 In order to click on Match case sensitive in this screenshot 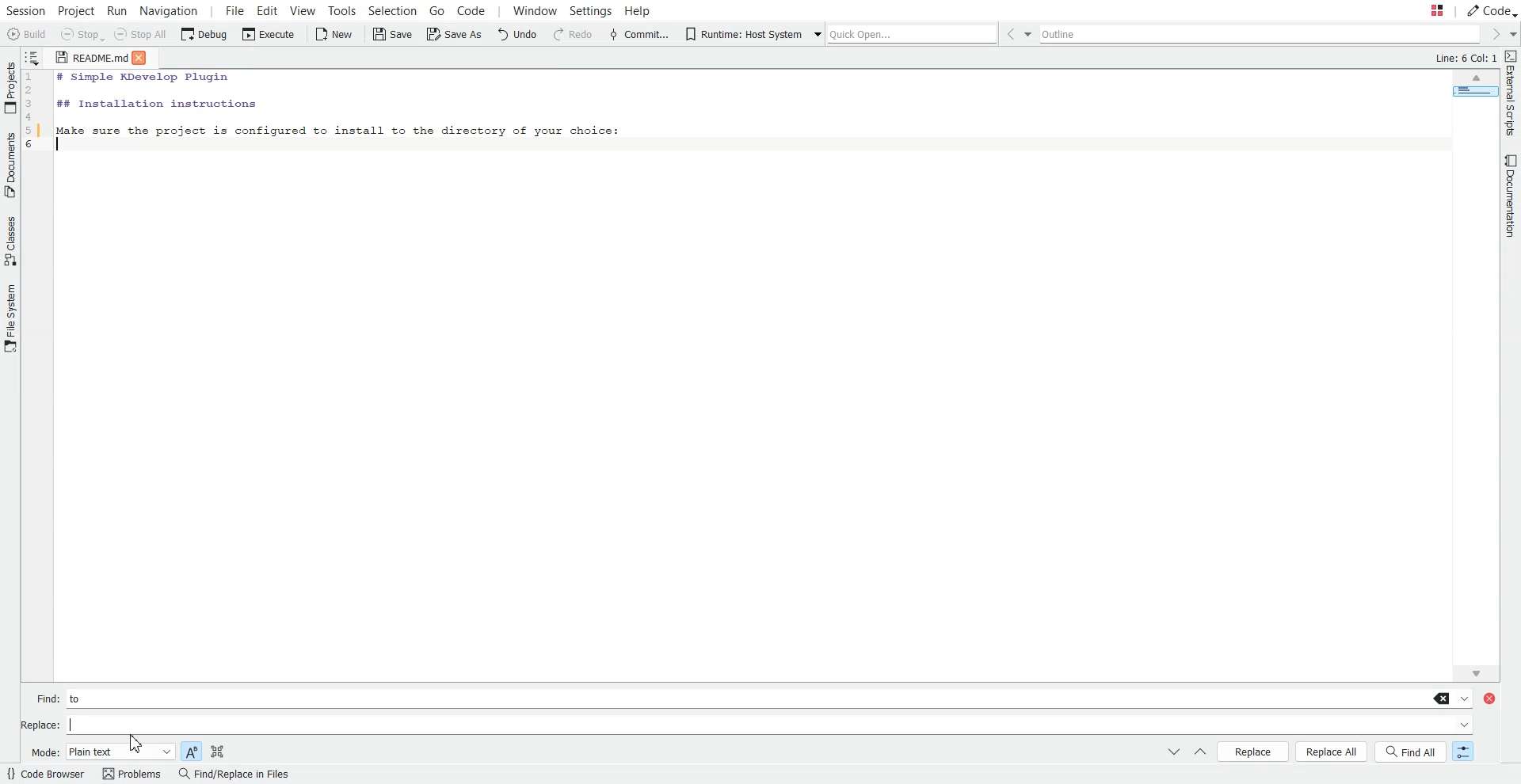, I will do `click(191, 750)`.